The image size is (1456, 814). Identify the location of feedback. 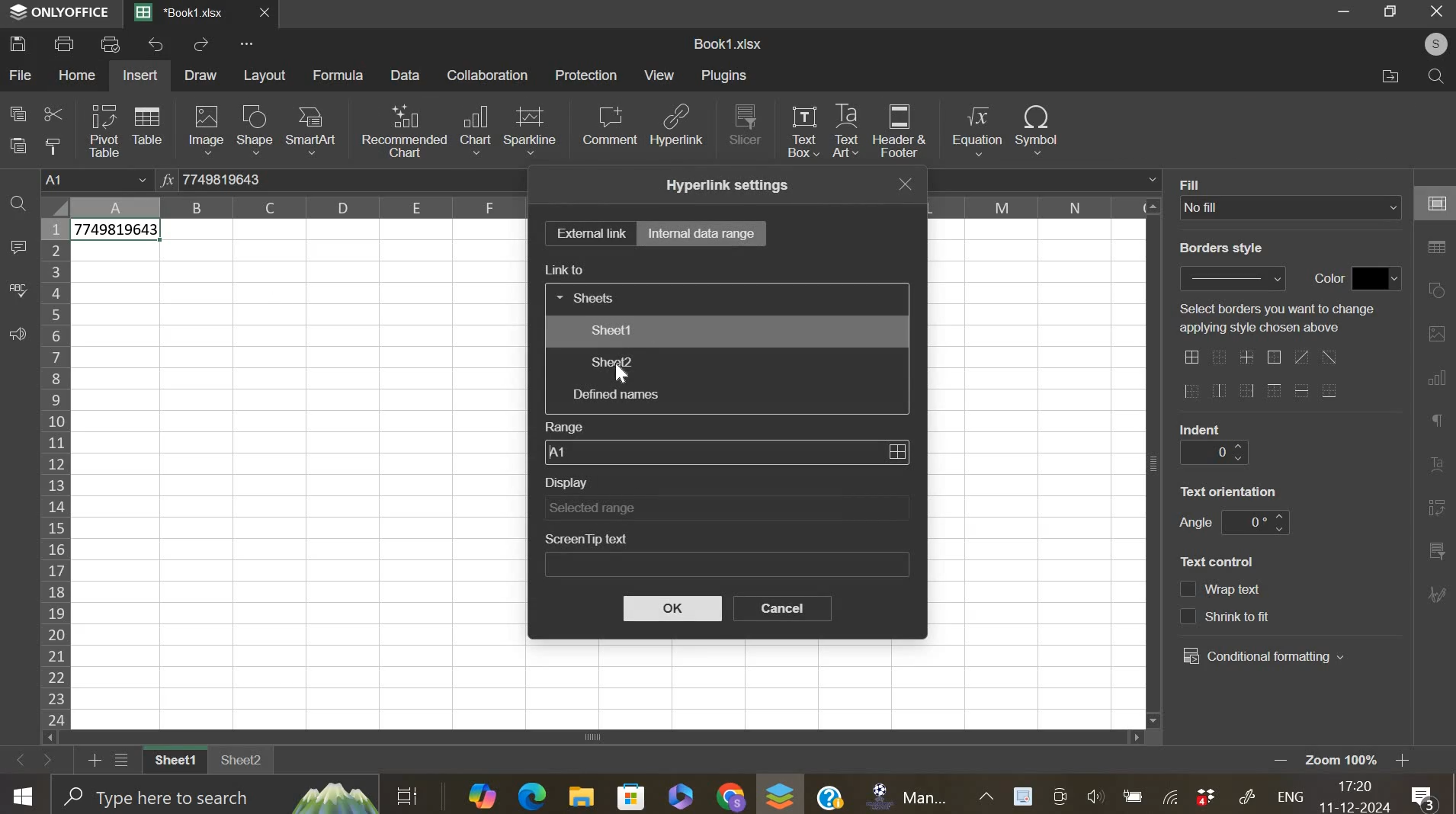
(17, 335).